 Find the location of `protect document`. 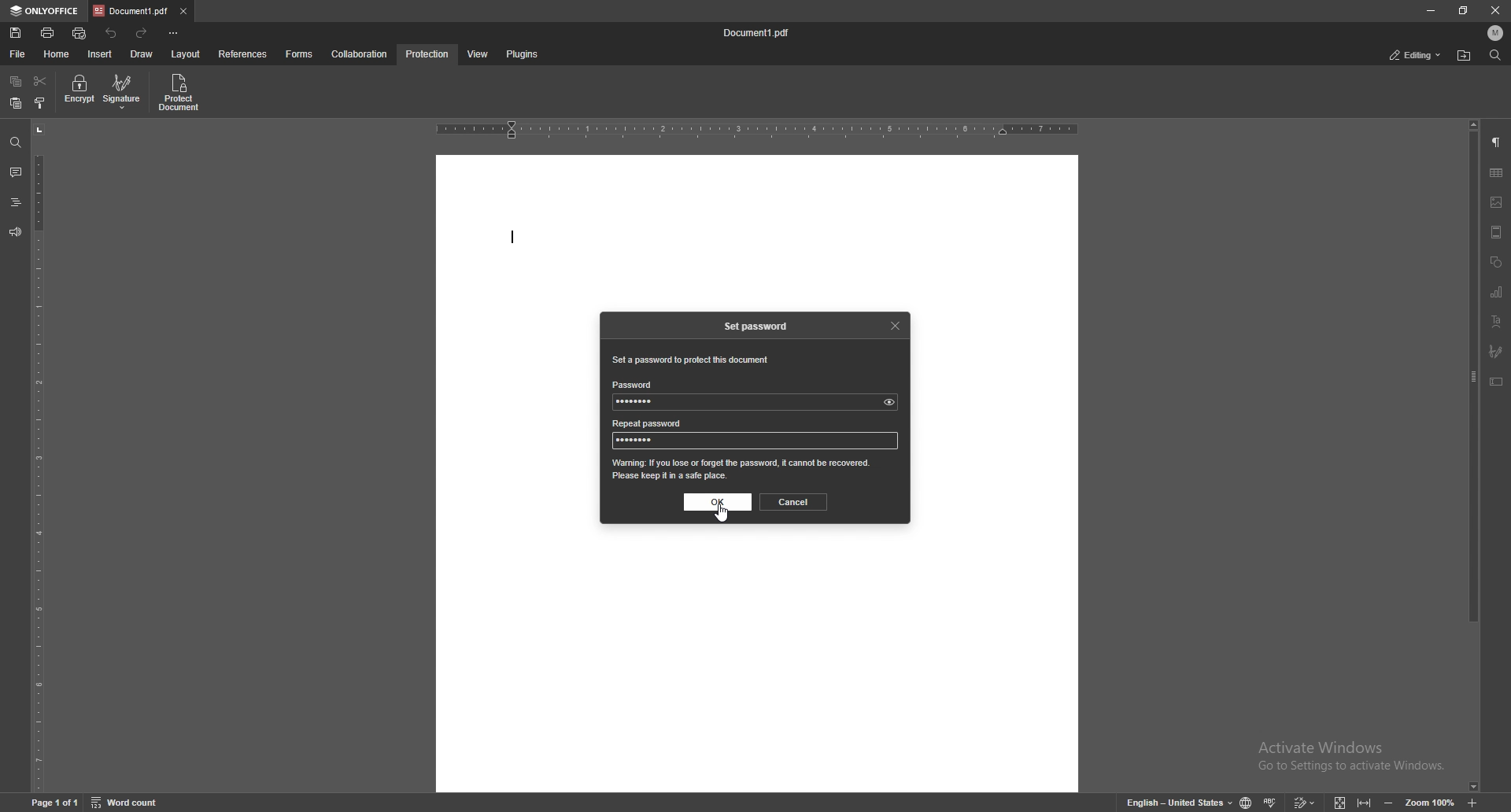

protect document is located at coordinates (179, 93).